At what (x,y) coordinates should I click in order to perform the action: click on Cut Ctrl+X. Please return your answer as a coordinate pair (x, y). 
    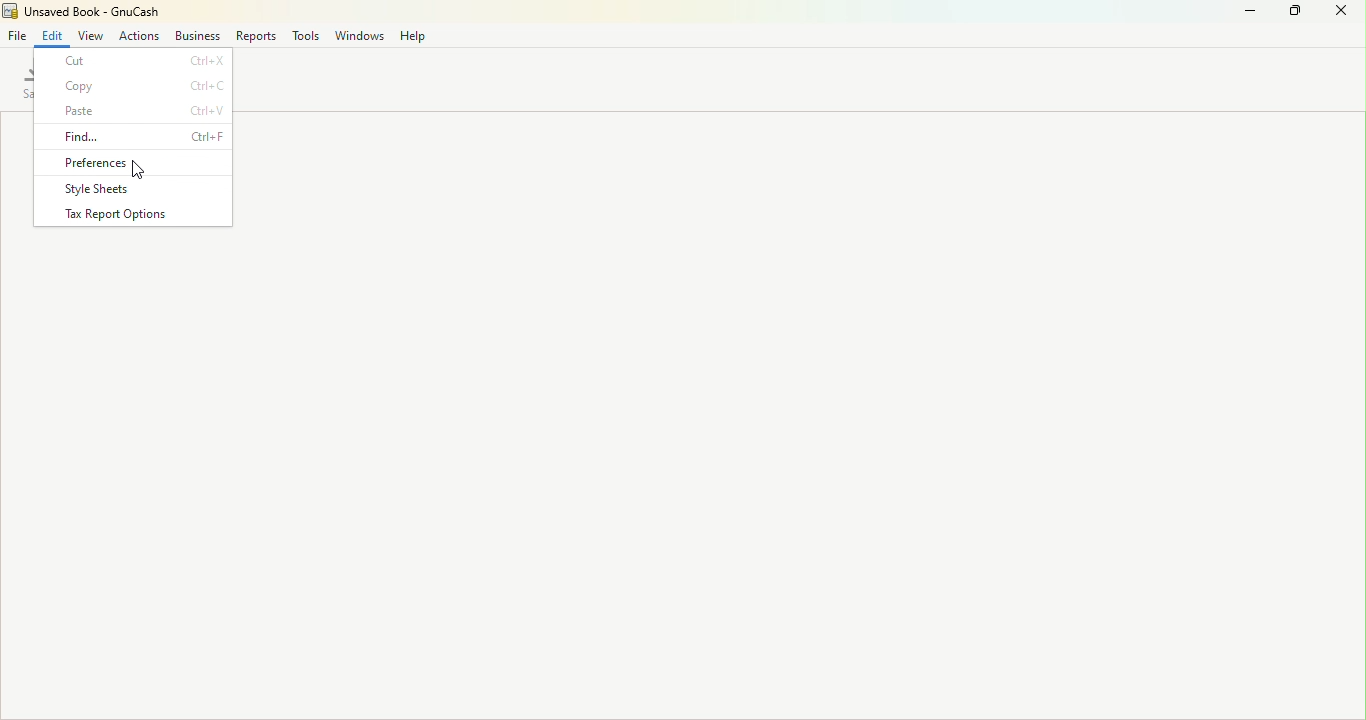
    Looking at the image, I should click on (135, 61).